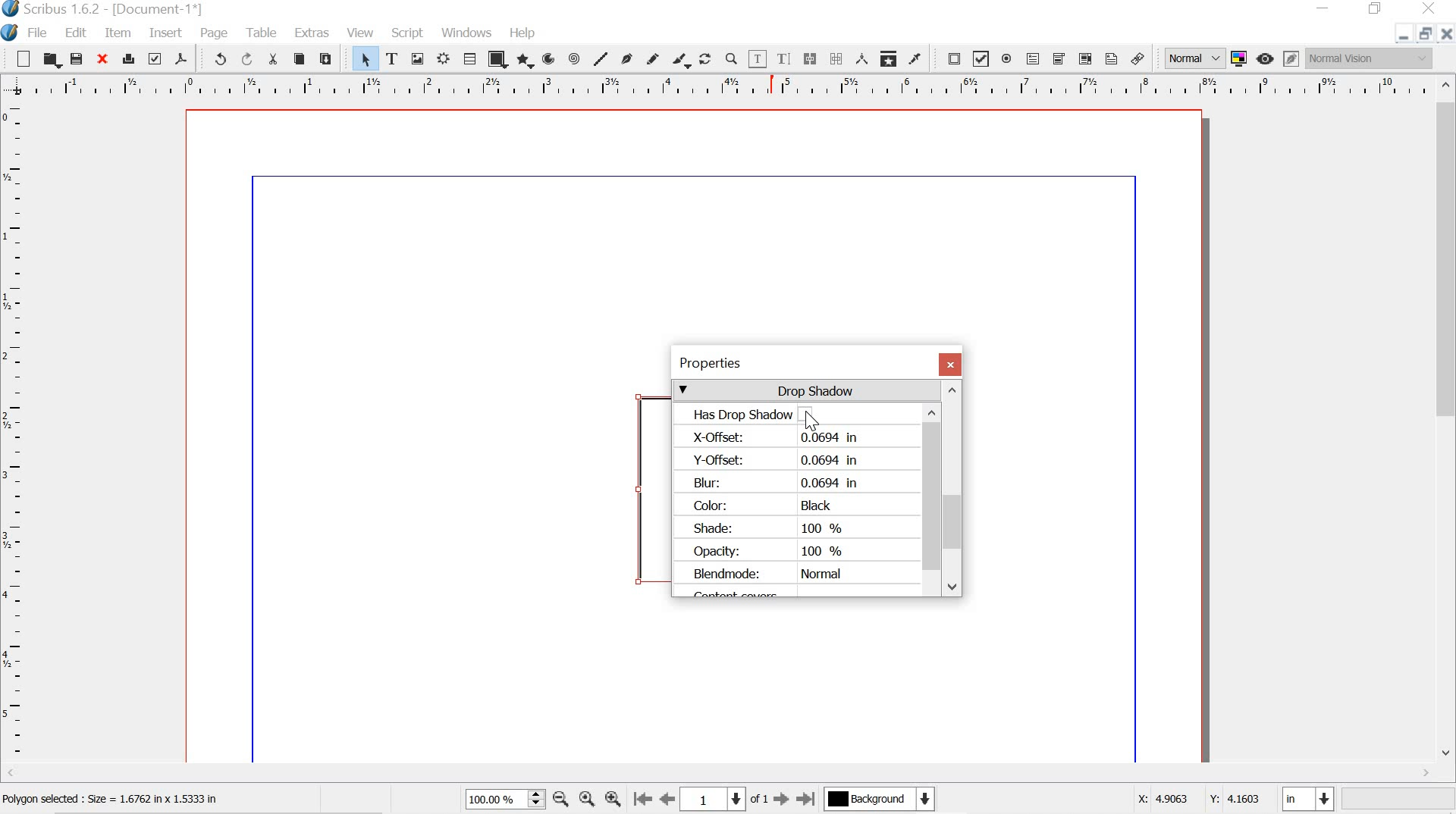 Image resolution: width=1456 pixels, height=814 pixels. What do you see at coordinates (981, 58) in the screenshot?
I see `pdf checkbox` at bounding box center [981, 58].